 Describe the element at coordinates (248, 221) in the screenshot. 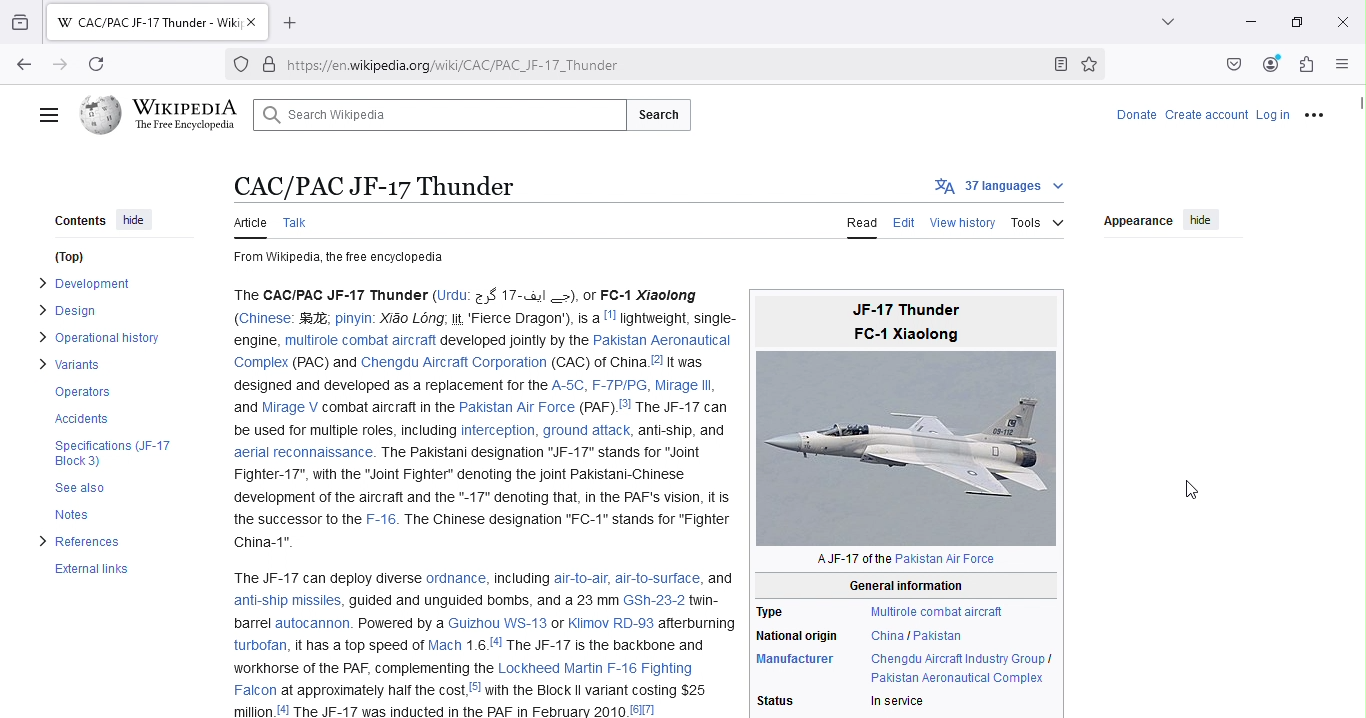

I see `Article` at that location.